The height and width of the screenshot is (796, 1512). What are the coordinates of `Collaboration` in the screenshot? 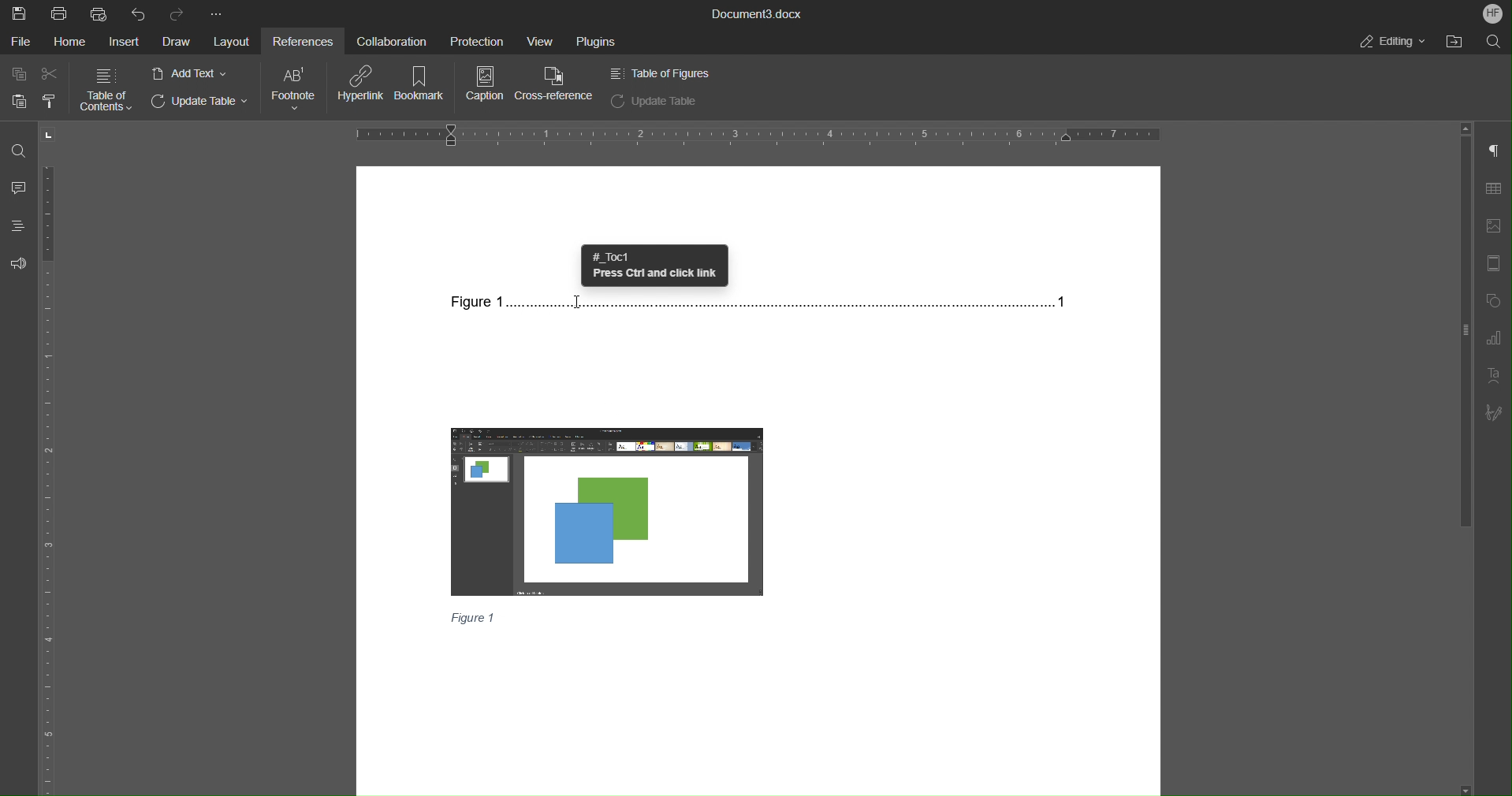 It's located at (389, 40).